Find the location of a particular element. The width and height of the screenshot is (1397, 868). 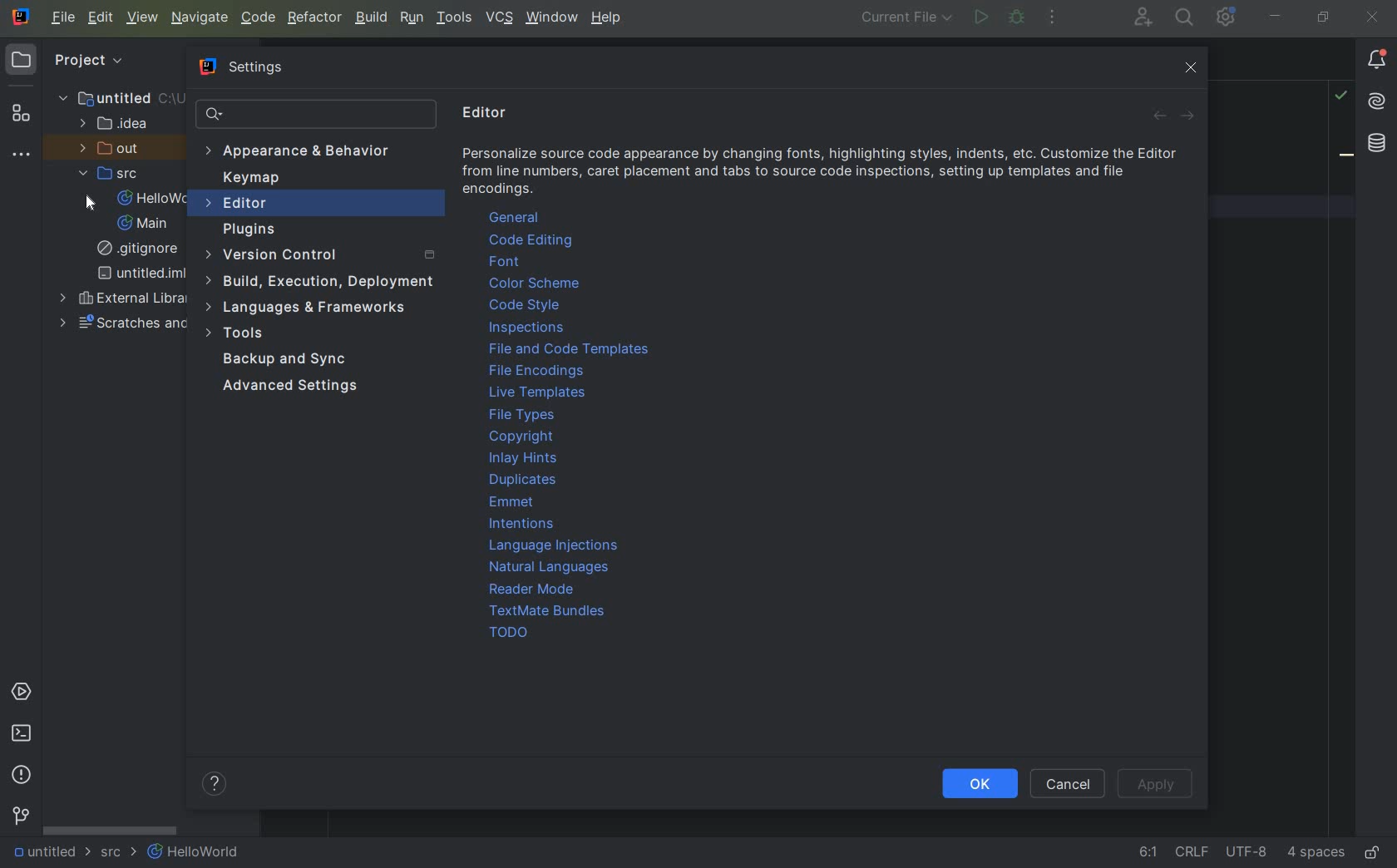

emmet is located at coordinates (512, 504).